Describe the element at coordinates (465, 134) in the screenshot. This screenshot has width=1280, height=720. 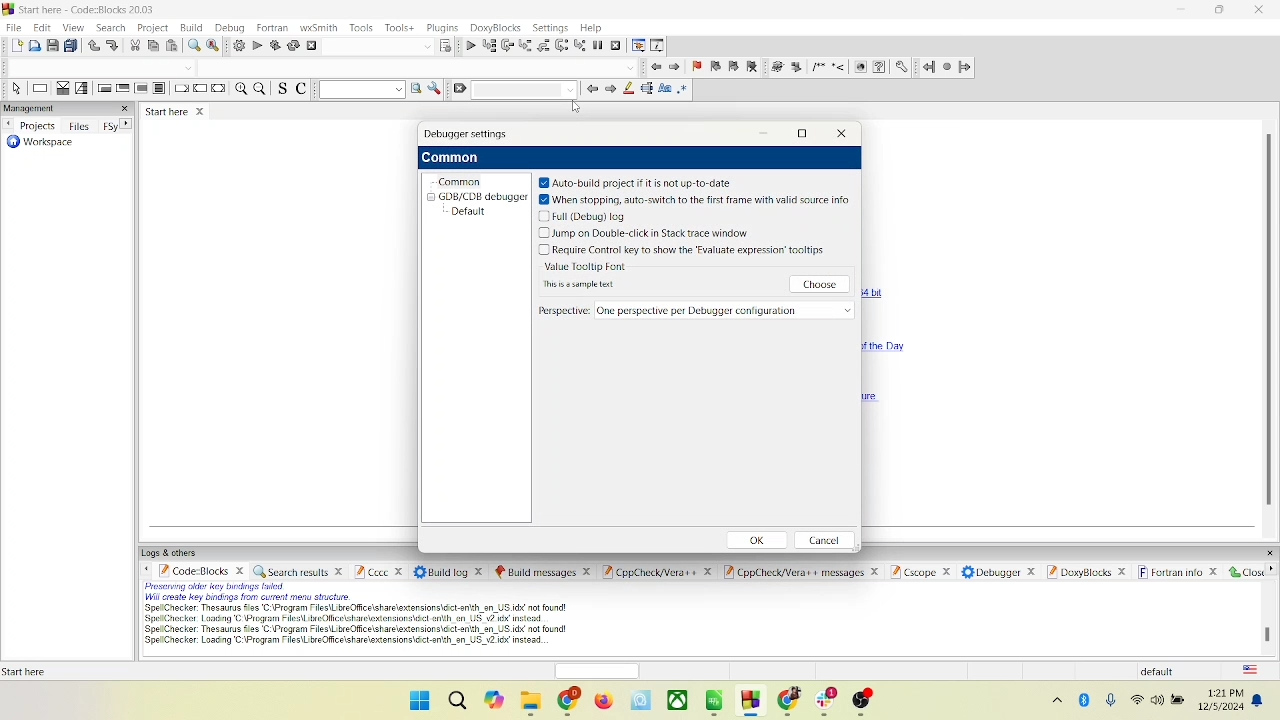
I see `debugger settings` at that location.